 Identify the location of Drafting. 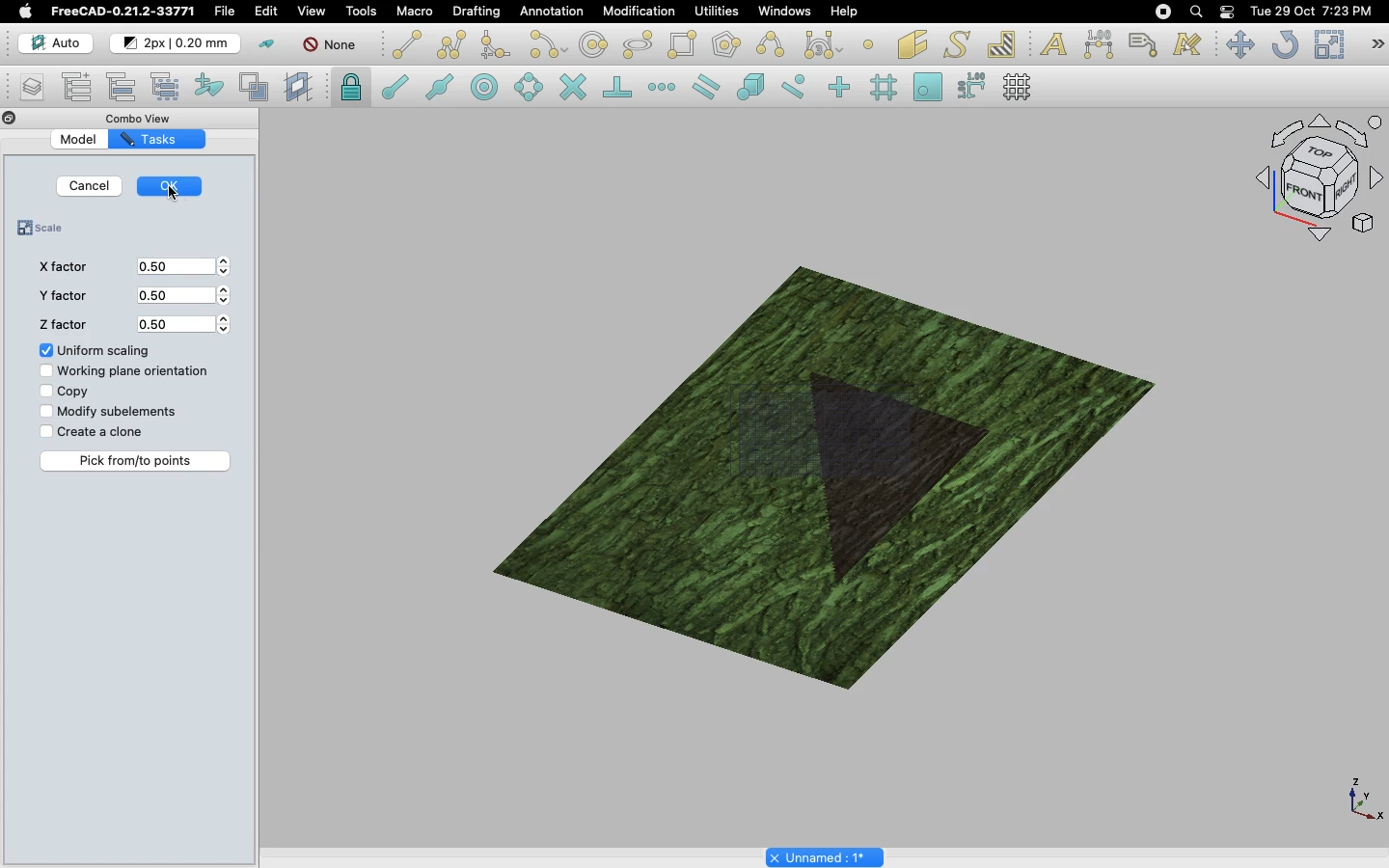
(477, 13).